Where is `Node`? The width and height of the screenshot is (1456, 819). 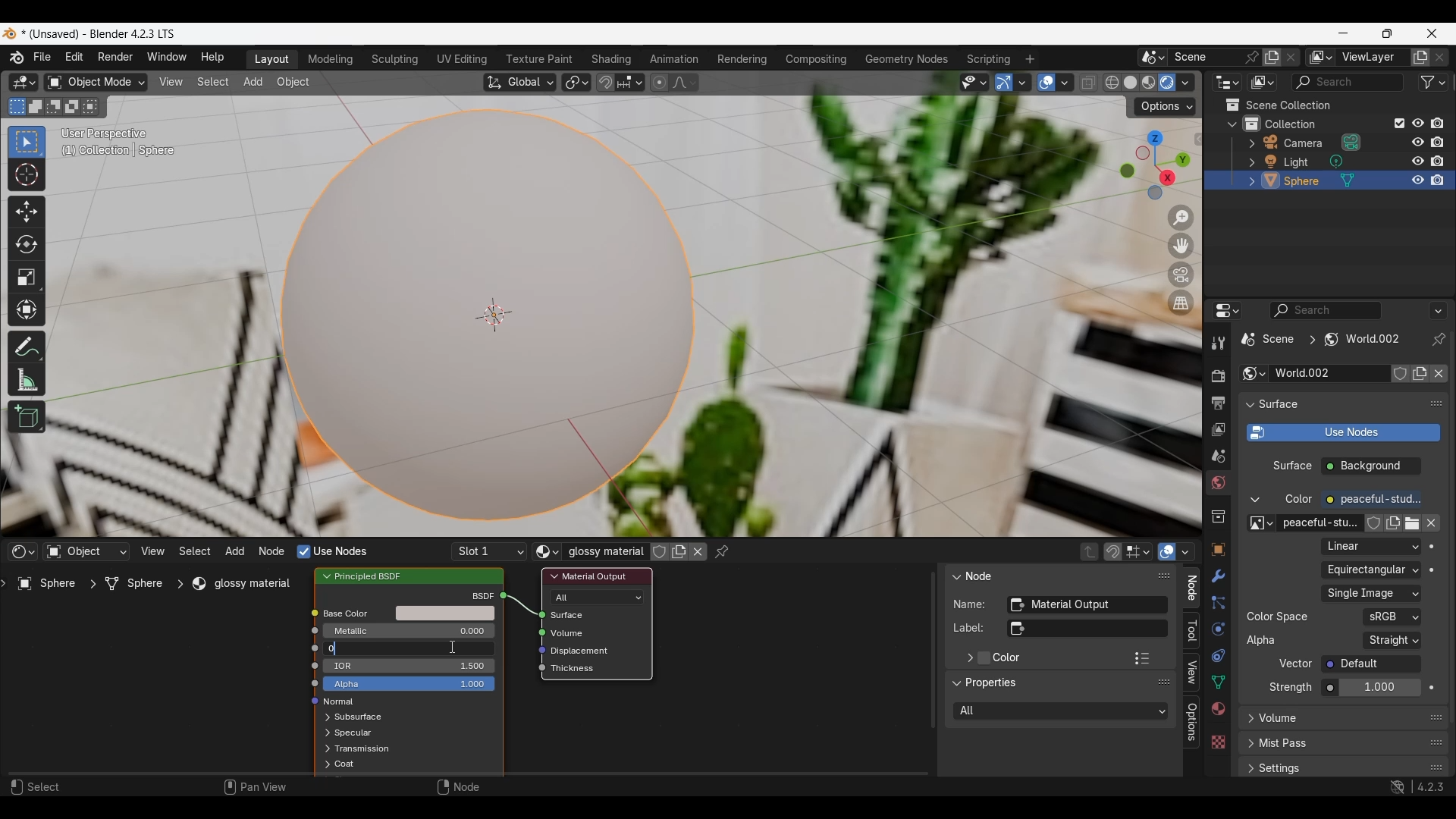 Node is located at coordinates (458, 787).